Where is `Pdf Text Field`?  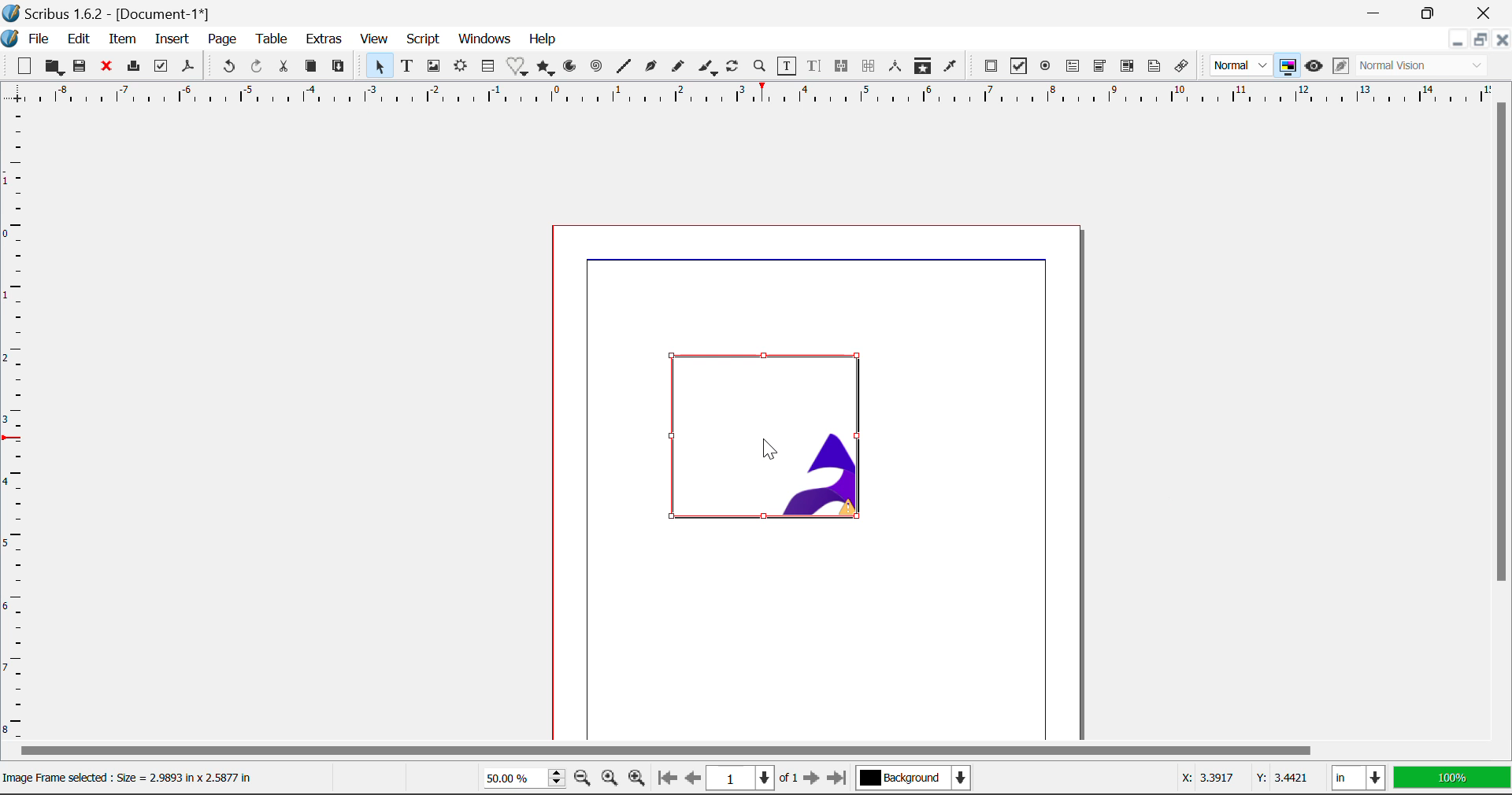 Pdf Text Field is located at coordinates (1073, 68).